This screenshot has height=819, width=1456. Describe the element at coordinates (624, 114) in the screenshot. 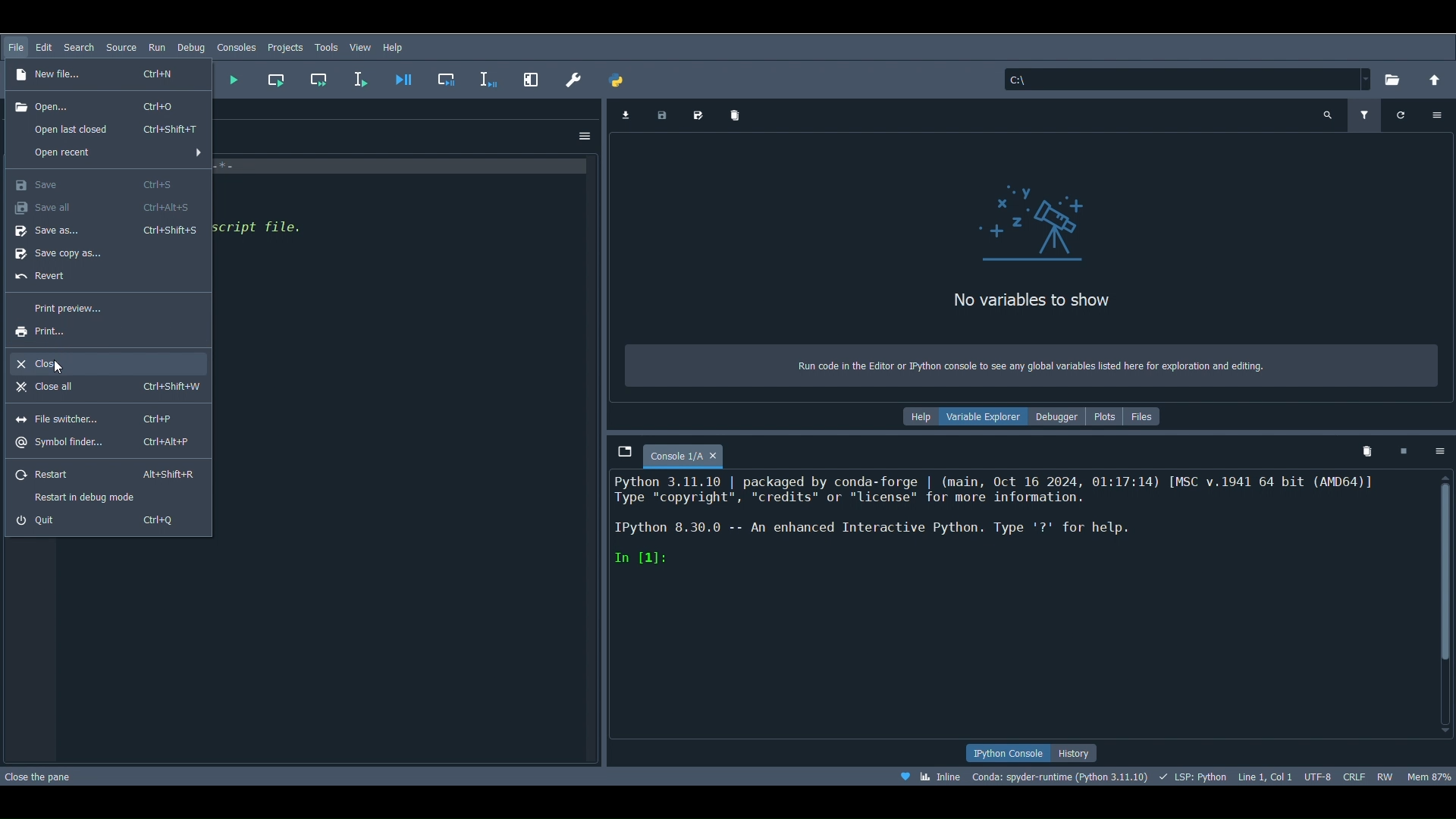

I see `Import data` at that location.